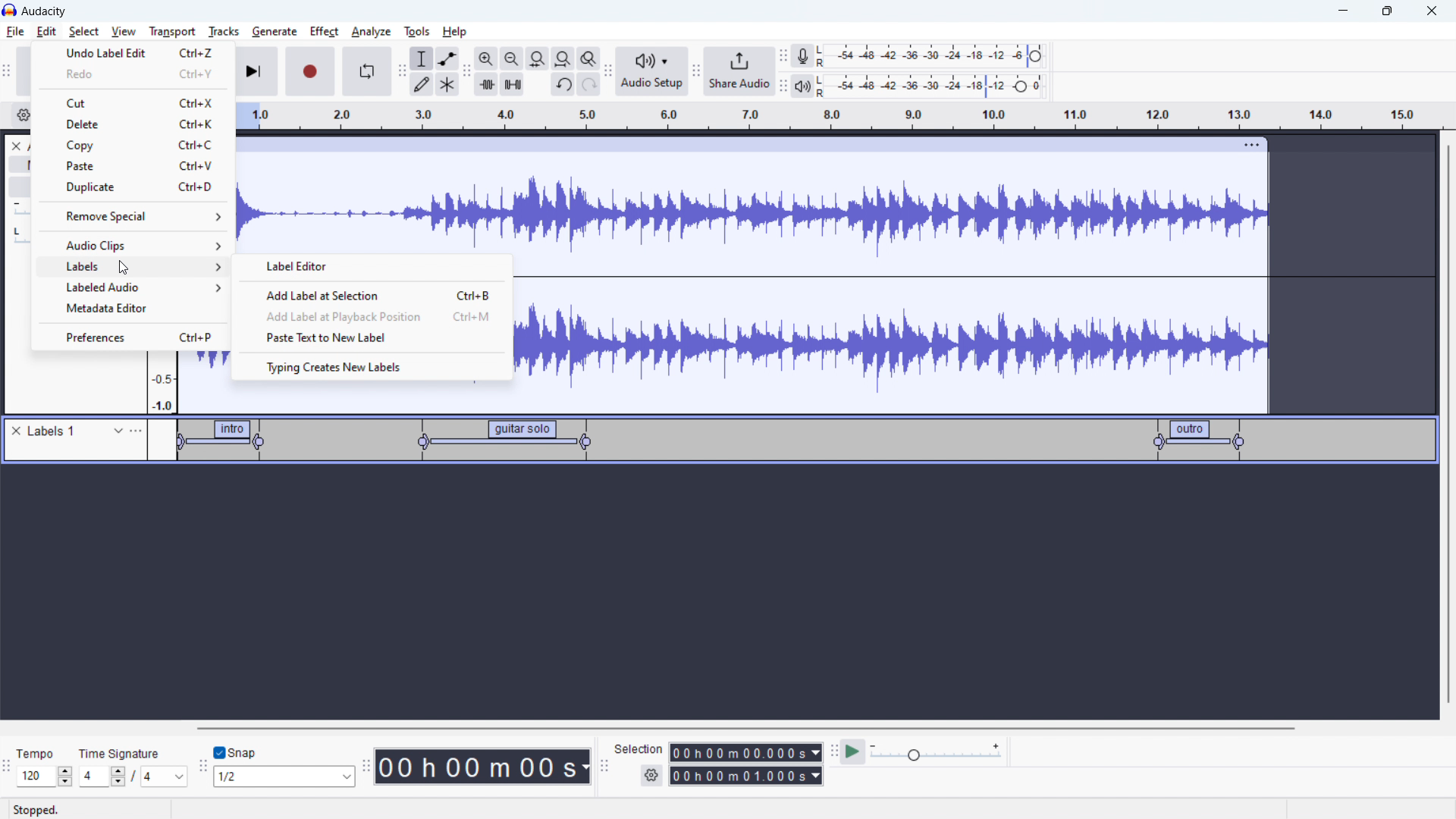  What do you see at coordinates (1254, 143) in the screenshot?
I see `track options` at bounding box center [1254, 143].